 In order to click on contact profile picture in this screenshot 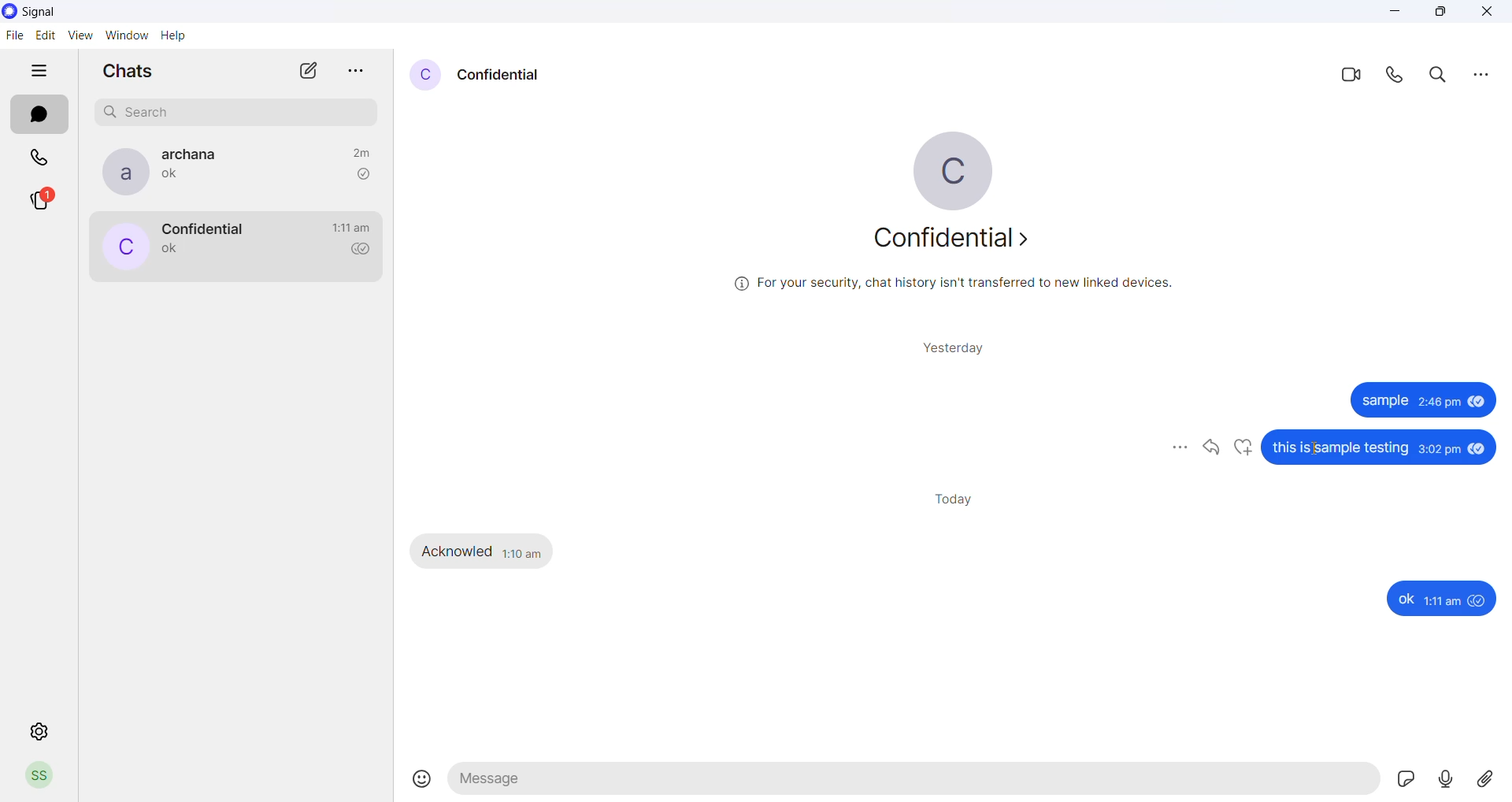, I will do `click(424, 75)`.